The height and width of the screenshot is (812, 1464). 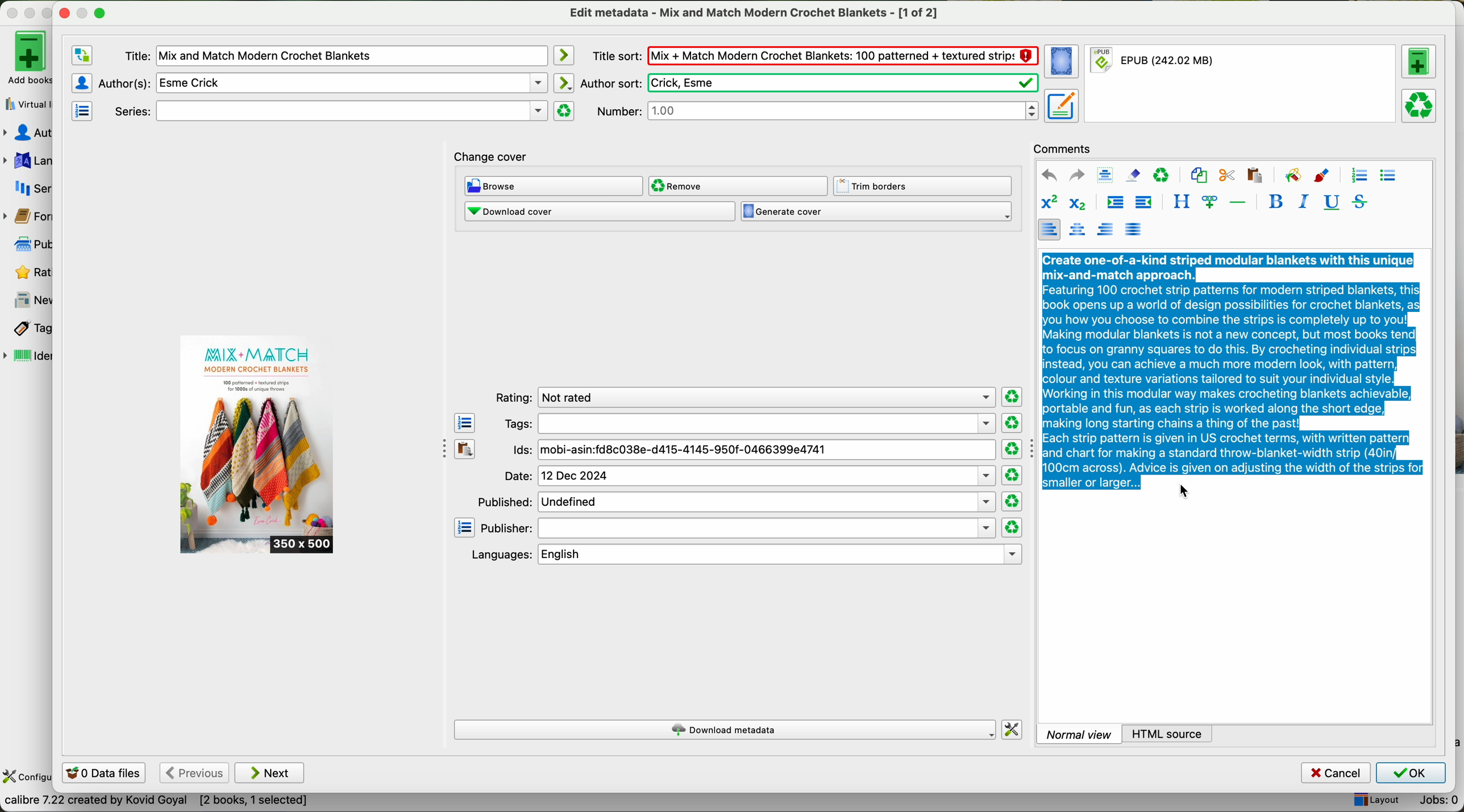 I want to click on add a format to this book, so click(x=1419, y=61).